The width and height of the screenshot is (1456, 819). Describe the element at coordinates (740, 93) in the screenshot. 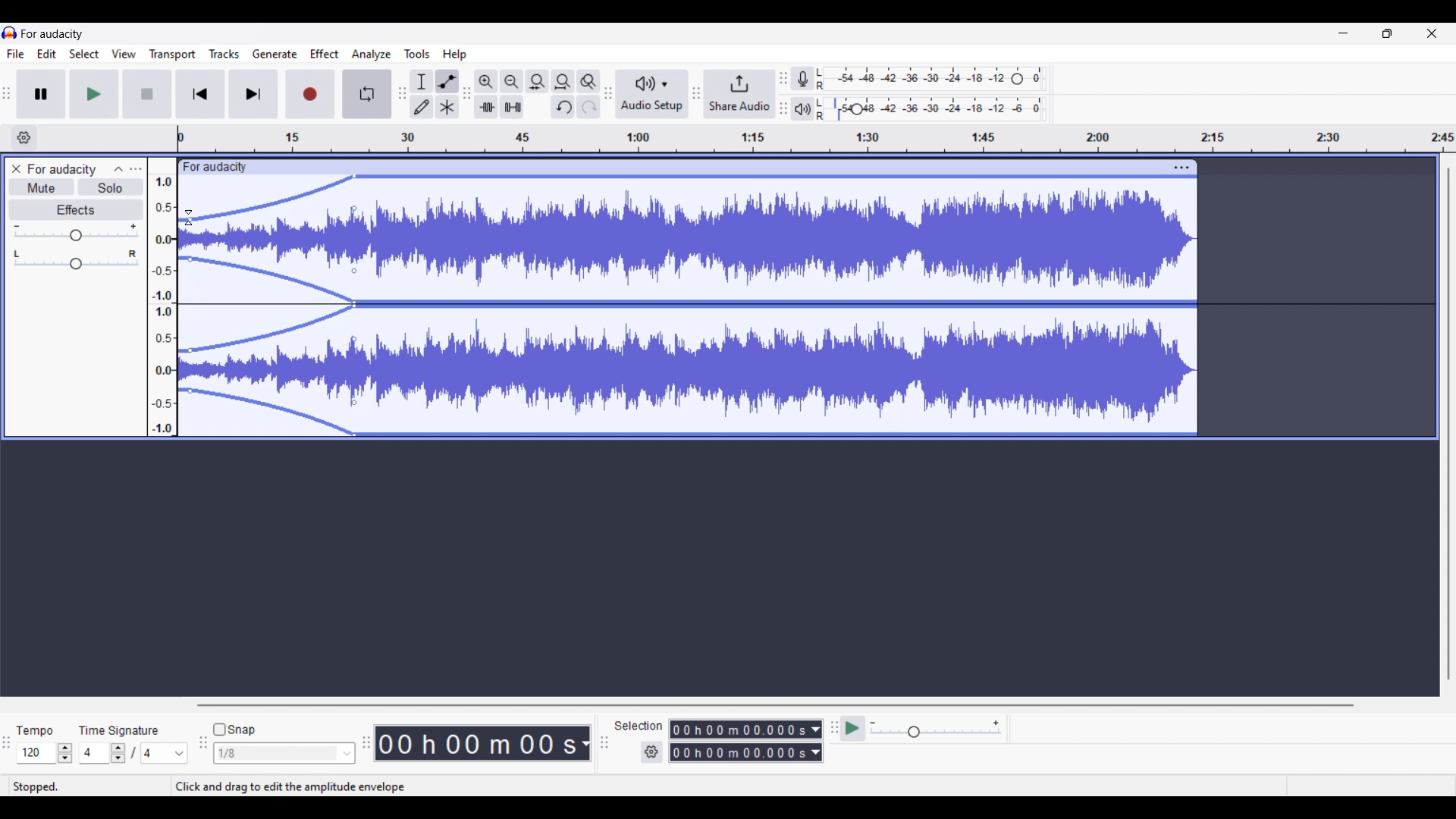

I see `Share audio` at that location.